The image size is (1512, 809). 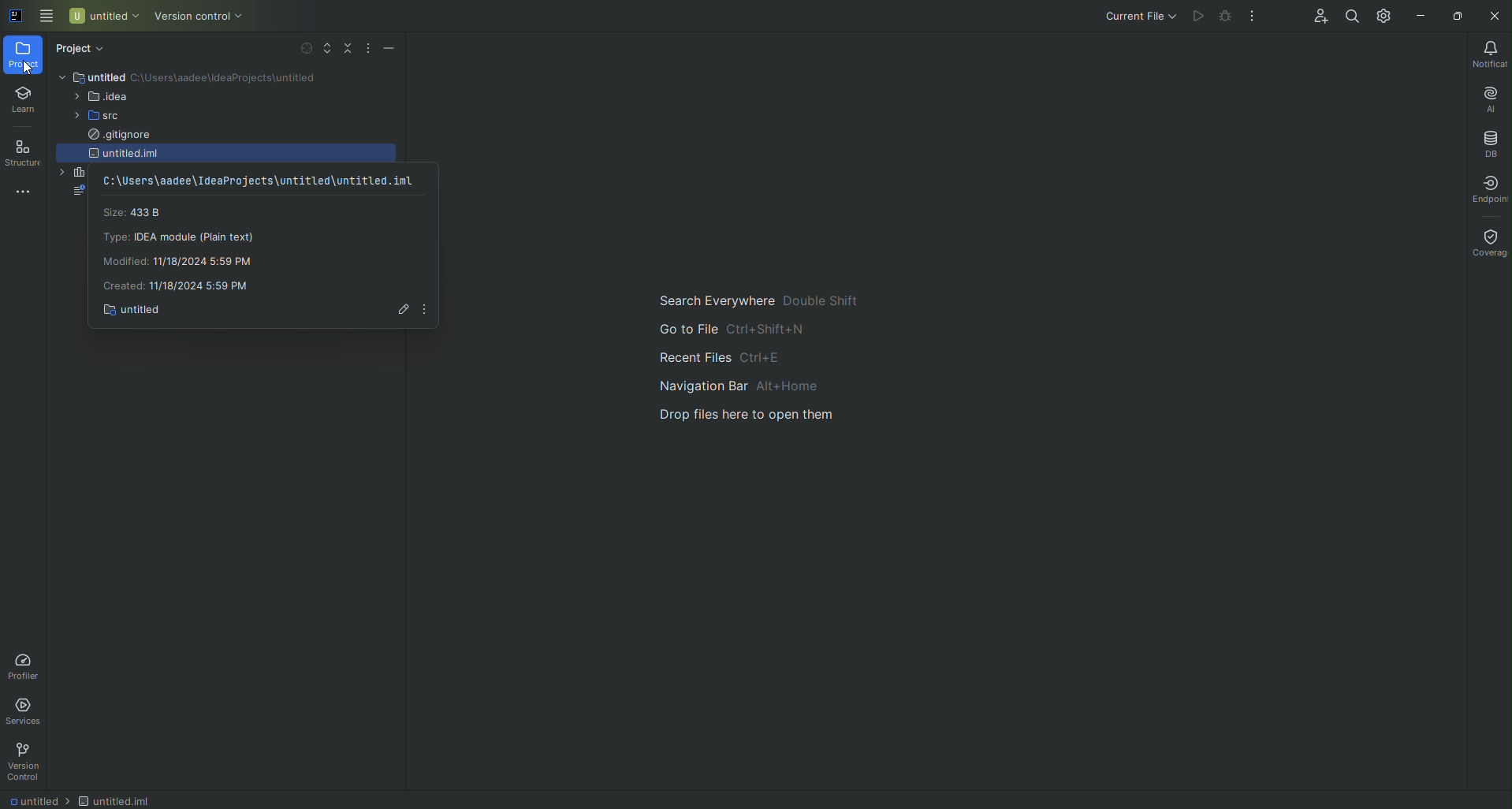 I want to click on .gitignore, so click(x=115, y=136).